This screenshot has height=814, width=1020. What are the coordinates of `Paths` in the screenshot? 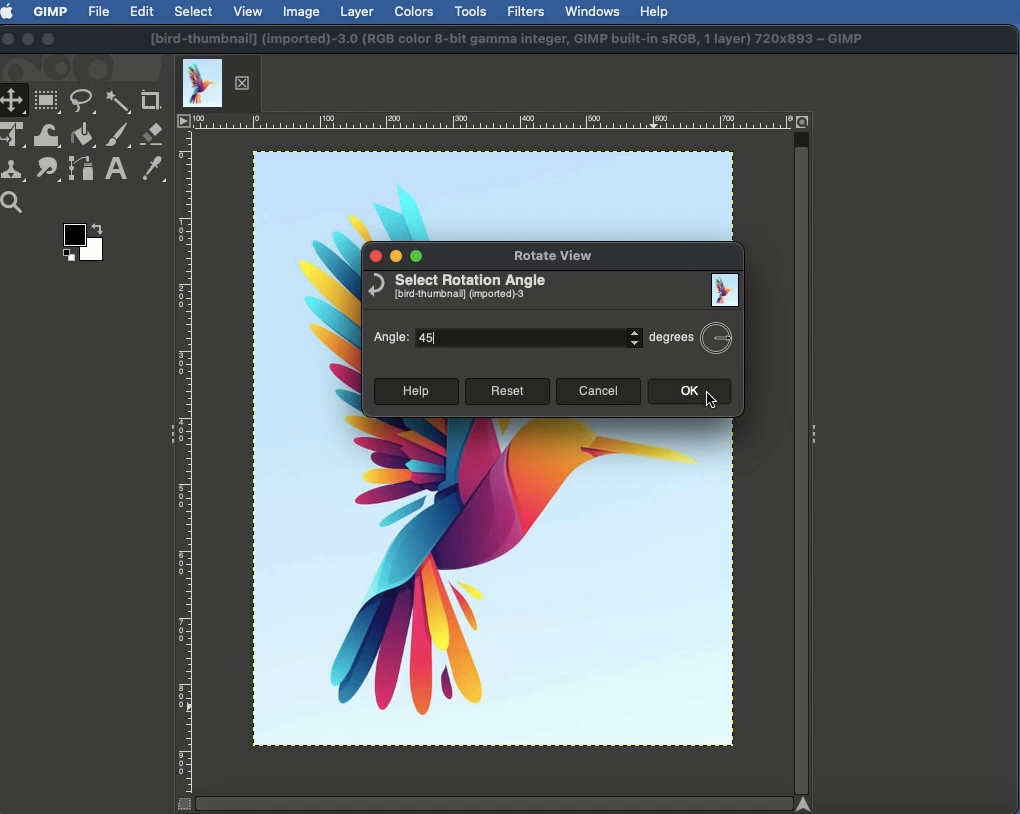 It's located at (80, 172).